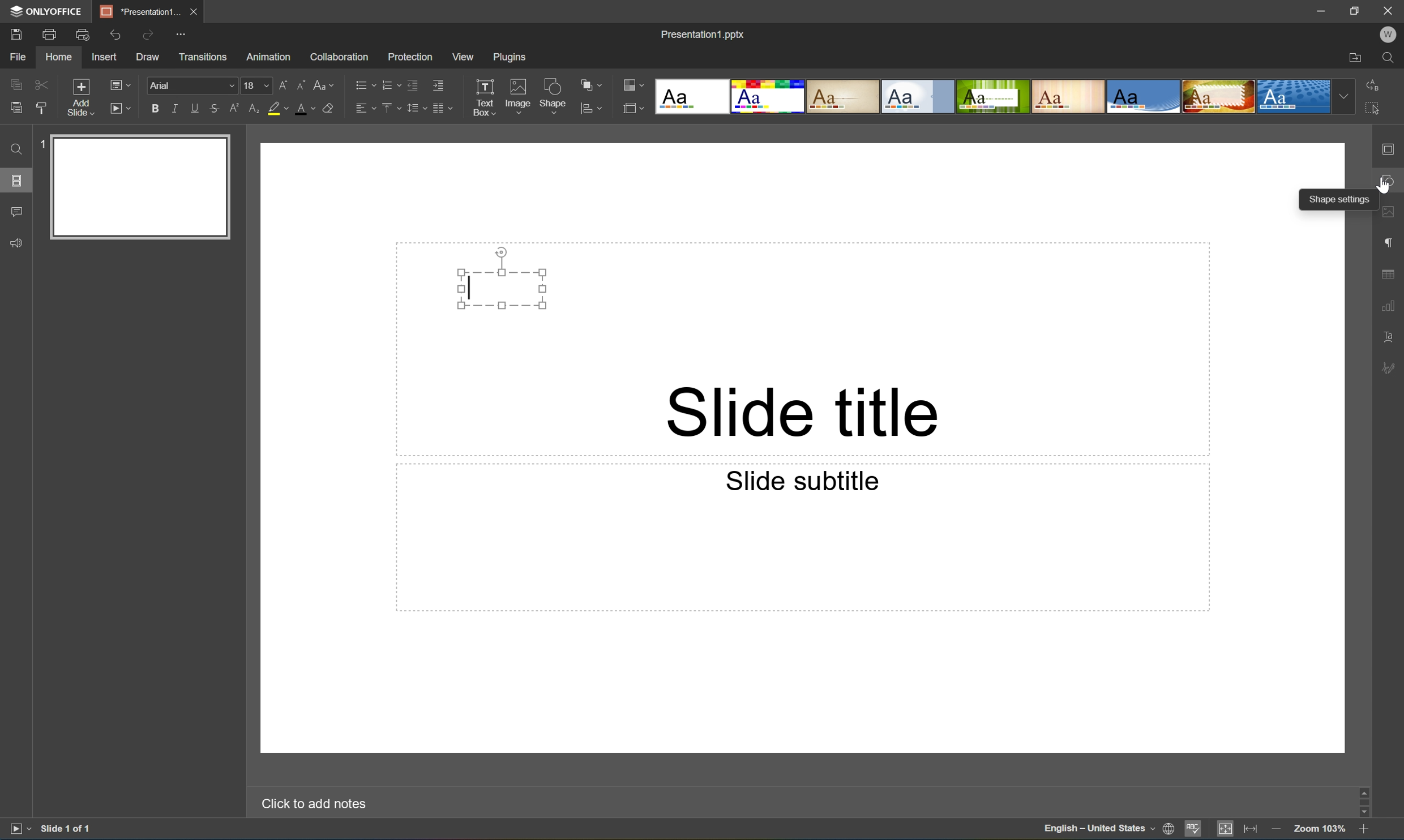  Describe the element at coordinates (1356, 9) in the screenshot. I see `Restore Down` at that location.